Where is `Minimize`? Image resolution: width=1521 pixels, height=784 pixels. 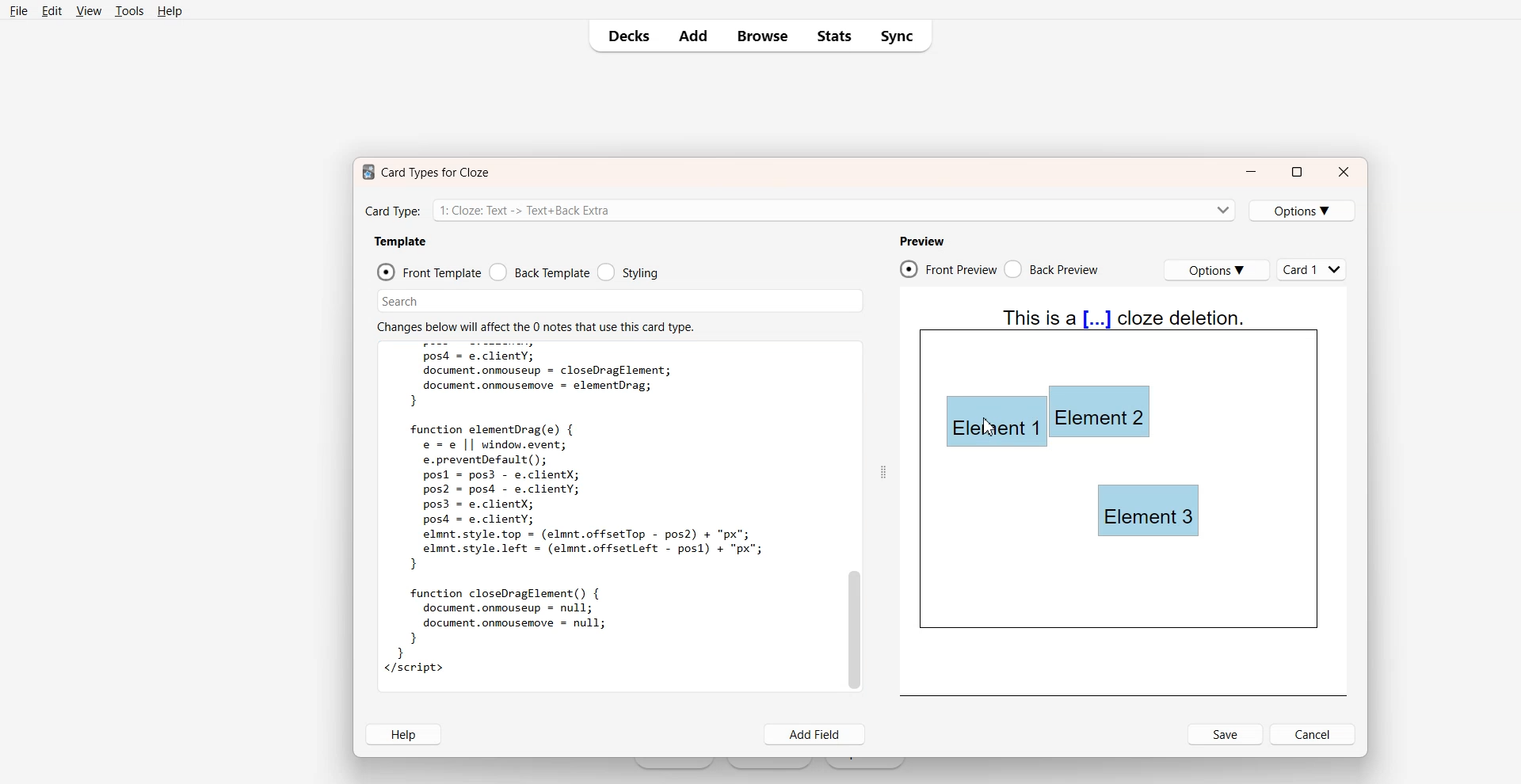
Minimize is located at coordinates (1251, 173).